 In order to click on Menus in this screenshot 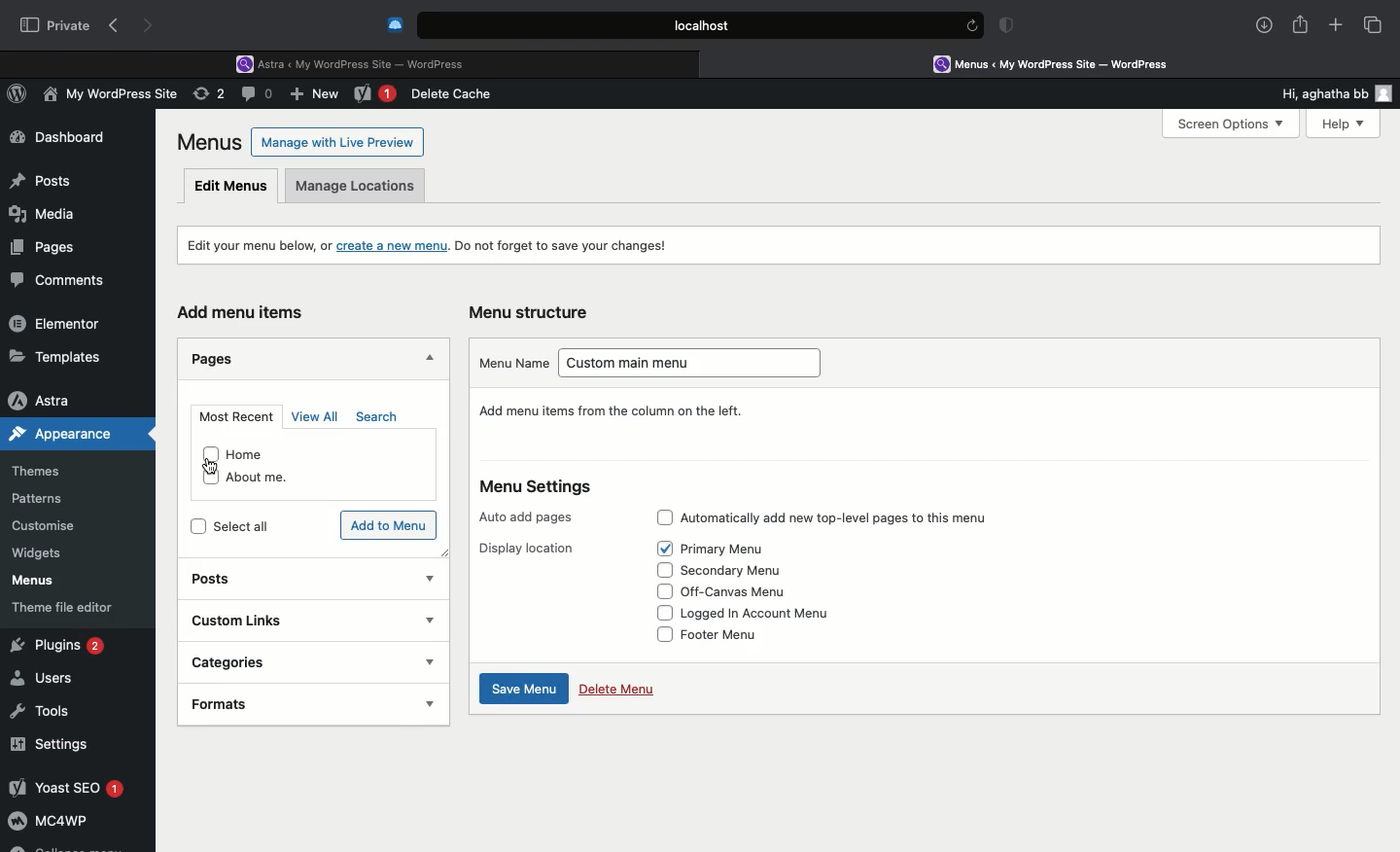, I will do `click(30, 581)`.